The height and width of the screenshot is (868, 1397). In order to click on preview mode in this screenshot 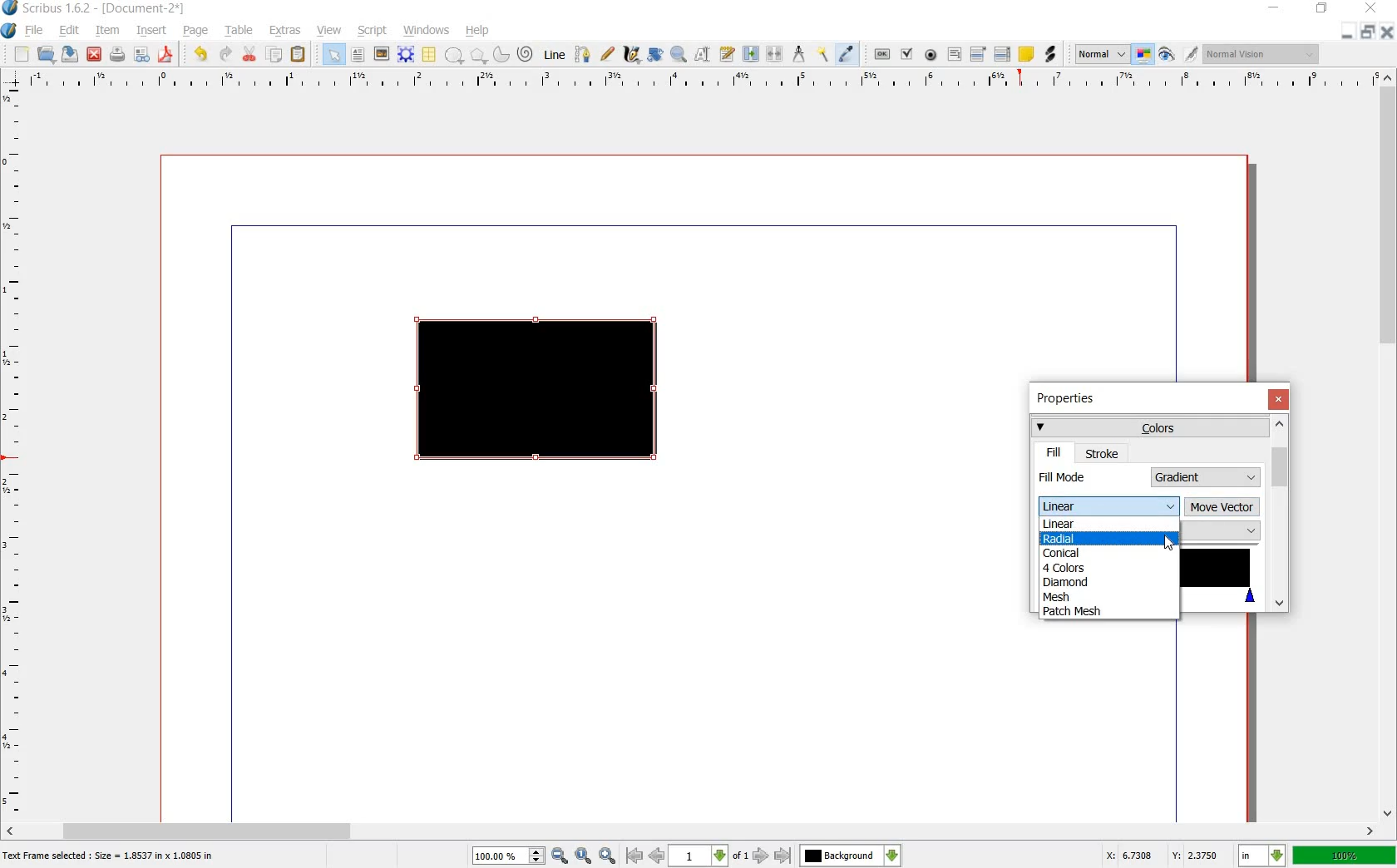, I will do `click(1167, 54)`.